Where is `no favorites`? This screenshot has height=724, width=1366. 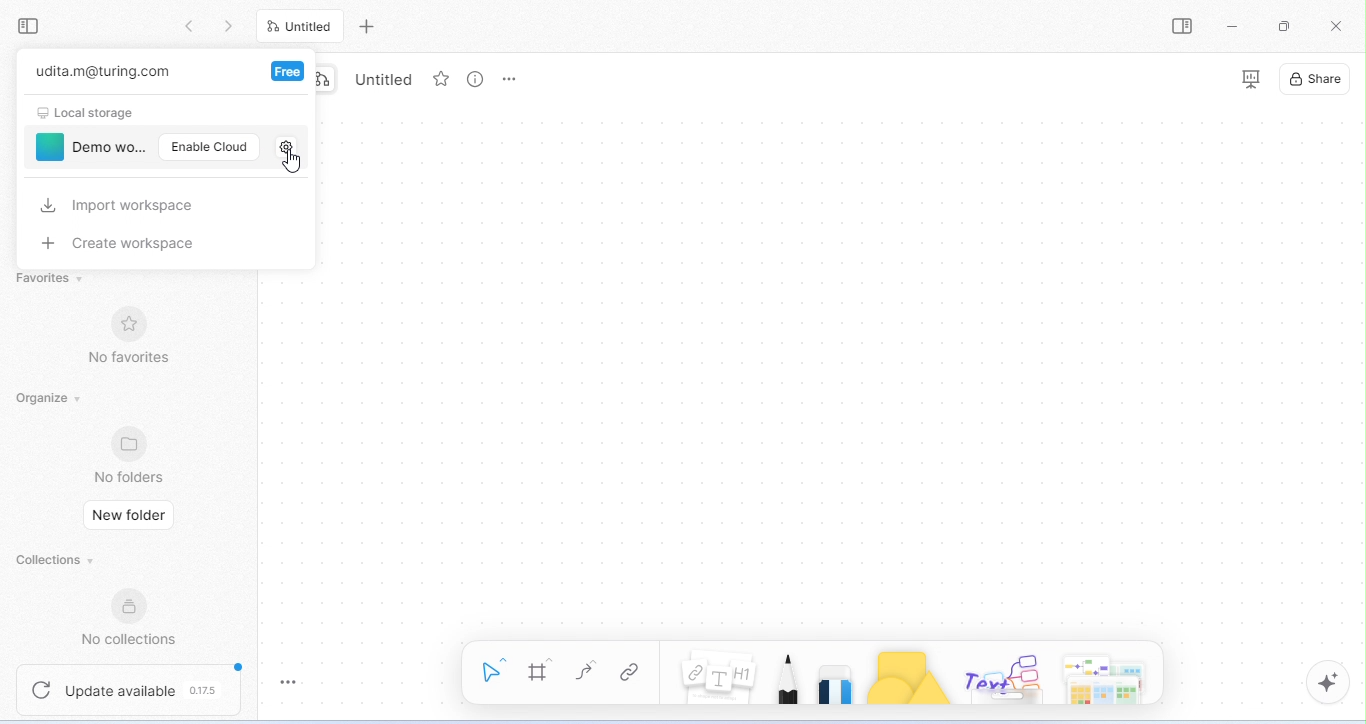 no favorites is located at coordinates (128, 337).